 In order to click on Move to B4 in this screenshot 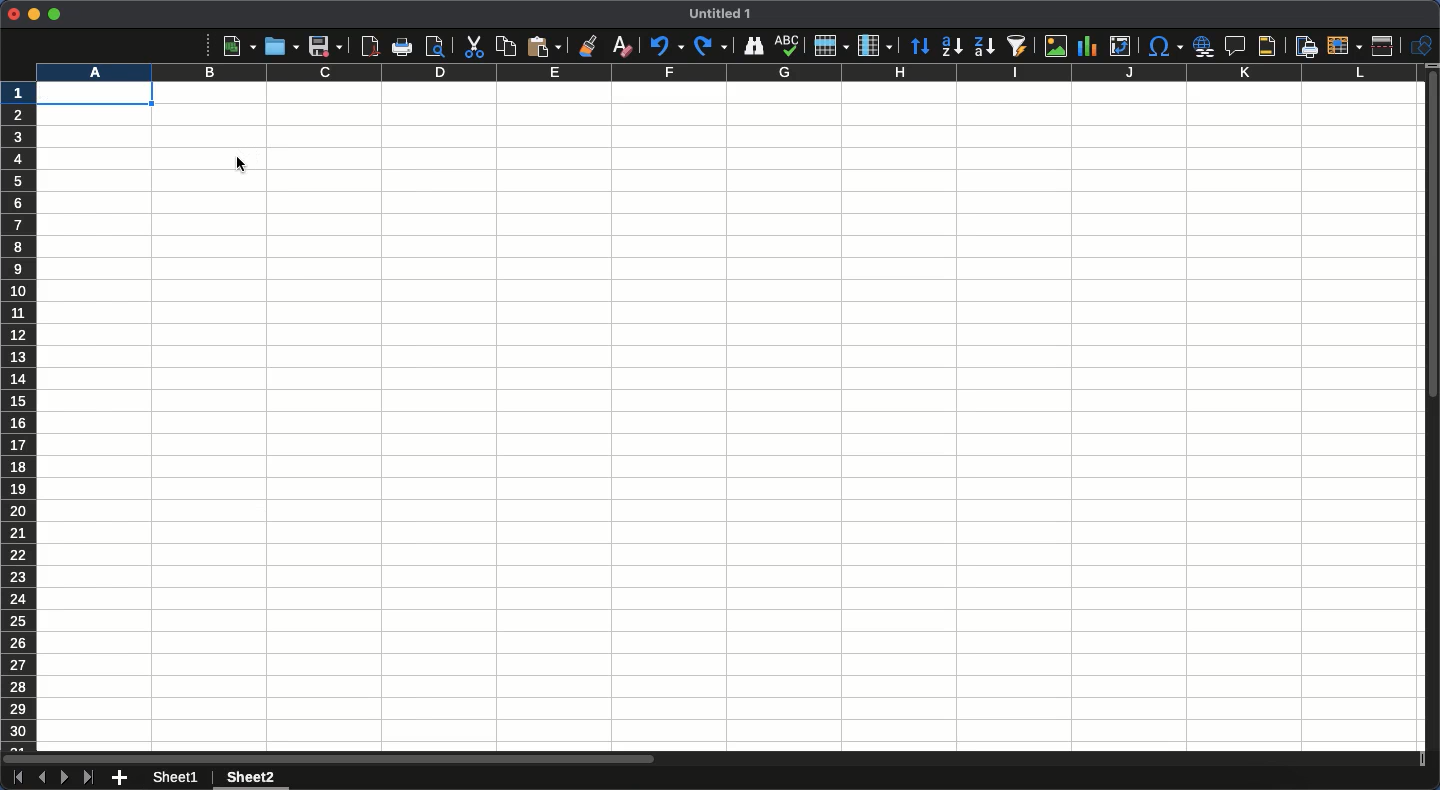, I will do `click(211, 159)`.